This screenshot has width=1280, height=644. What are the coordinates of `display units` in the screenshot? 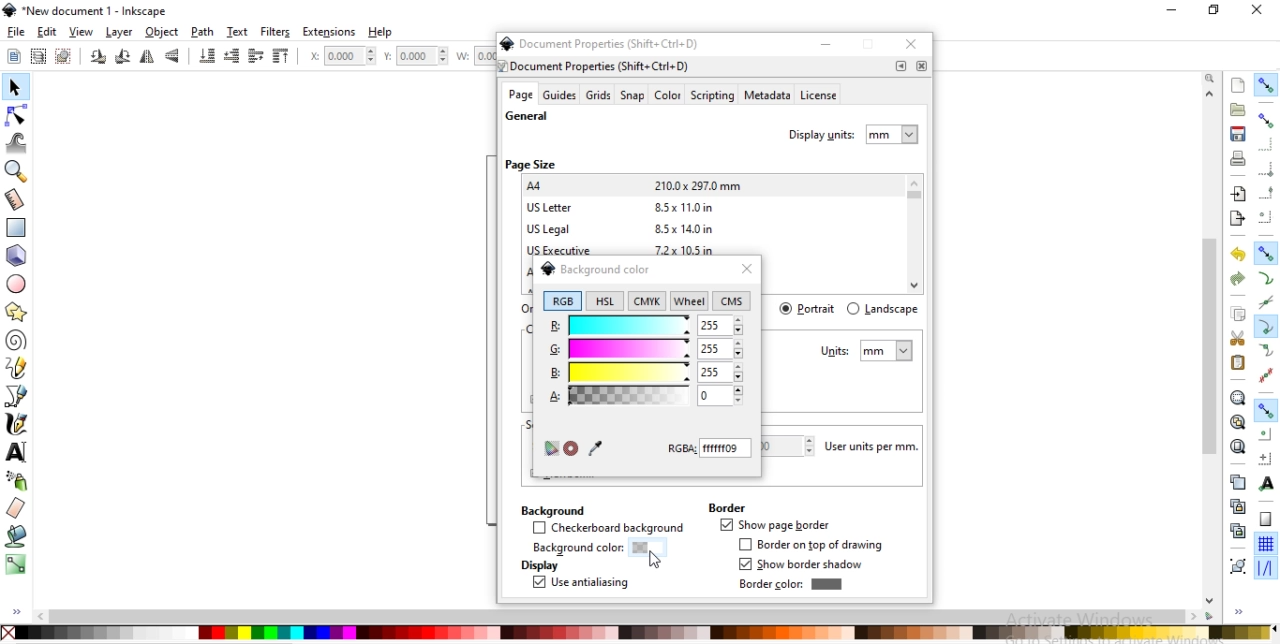 It's located at (855, 132).